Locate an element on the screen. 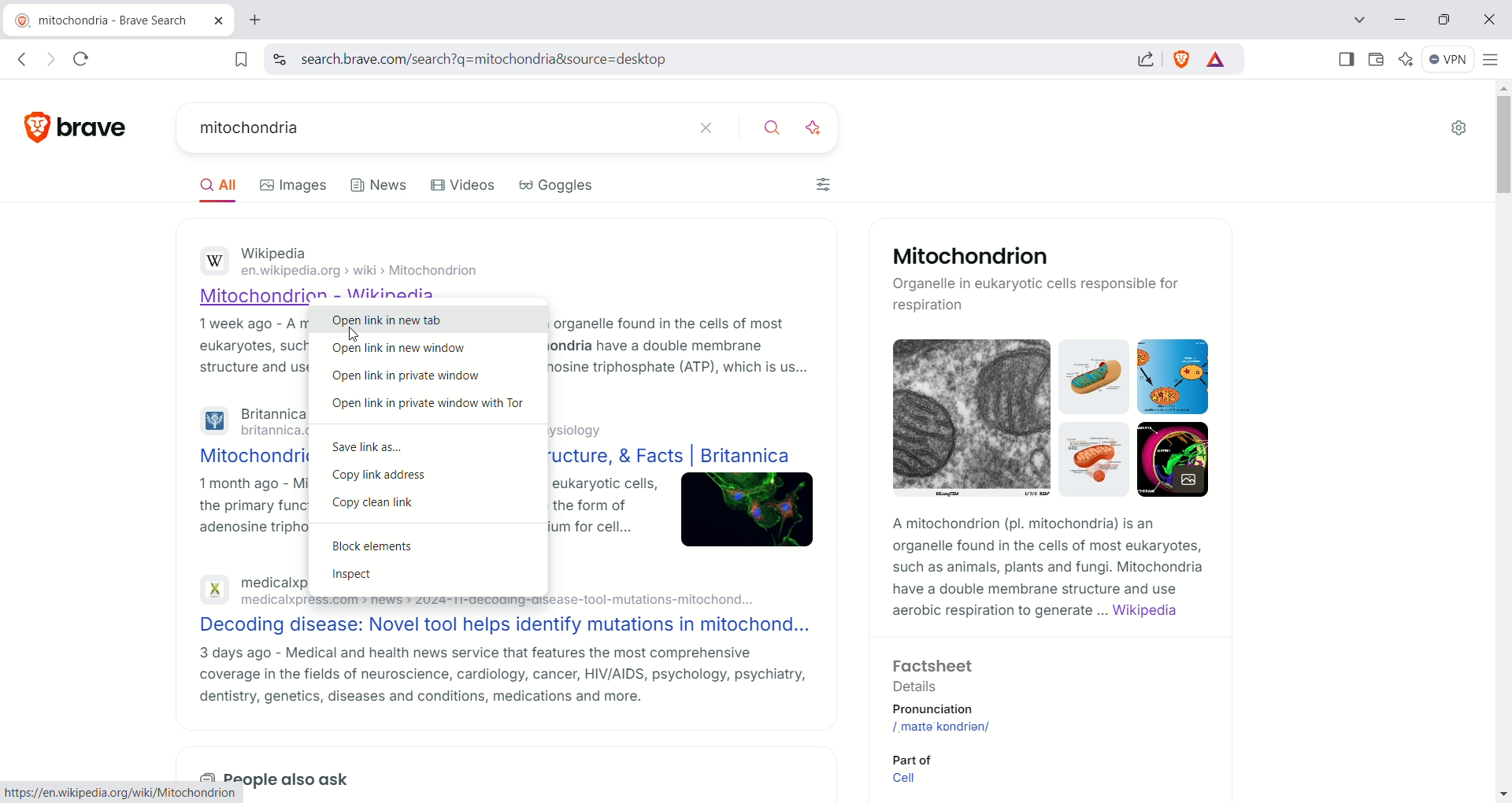 The image size is (1512, 803). videos is located at coordinates (465, 187).